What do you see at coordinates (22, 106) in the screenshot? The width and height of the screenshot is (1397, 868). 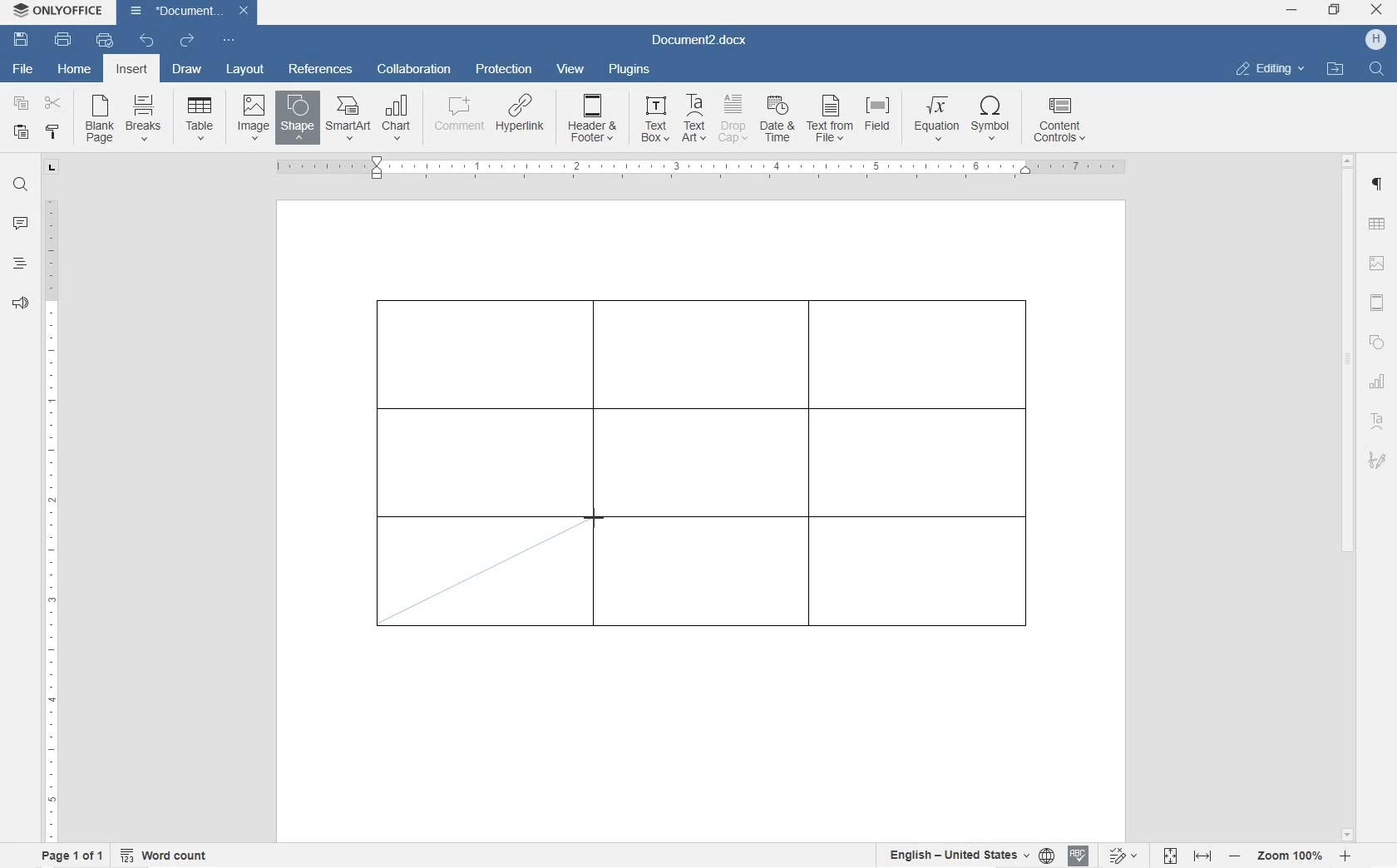 I see `copy` at bounding box center [22, 106].